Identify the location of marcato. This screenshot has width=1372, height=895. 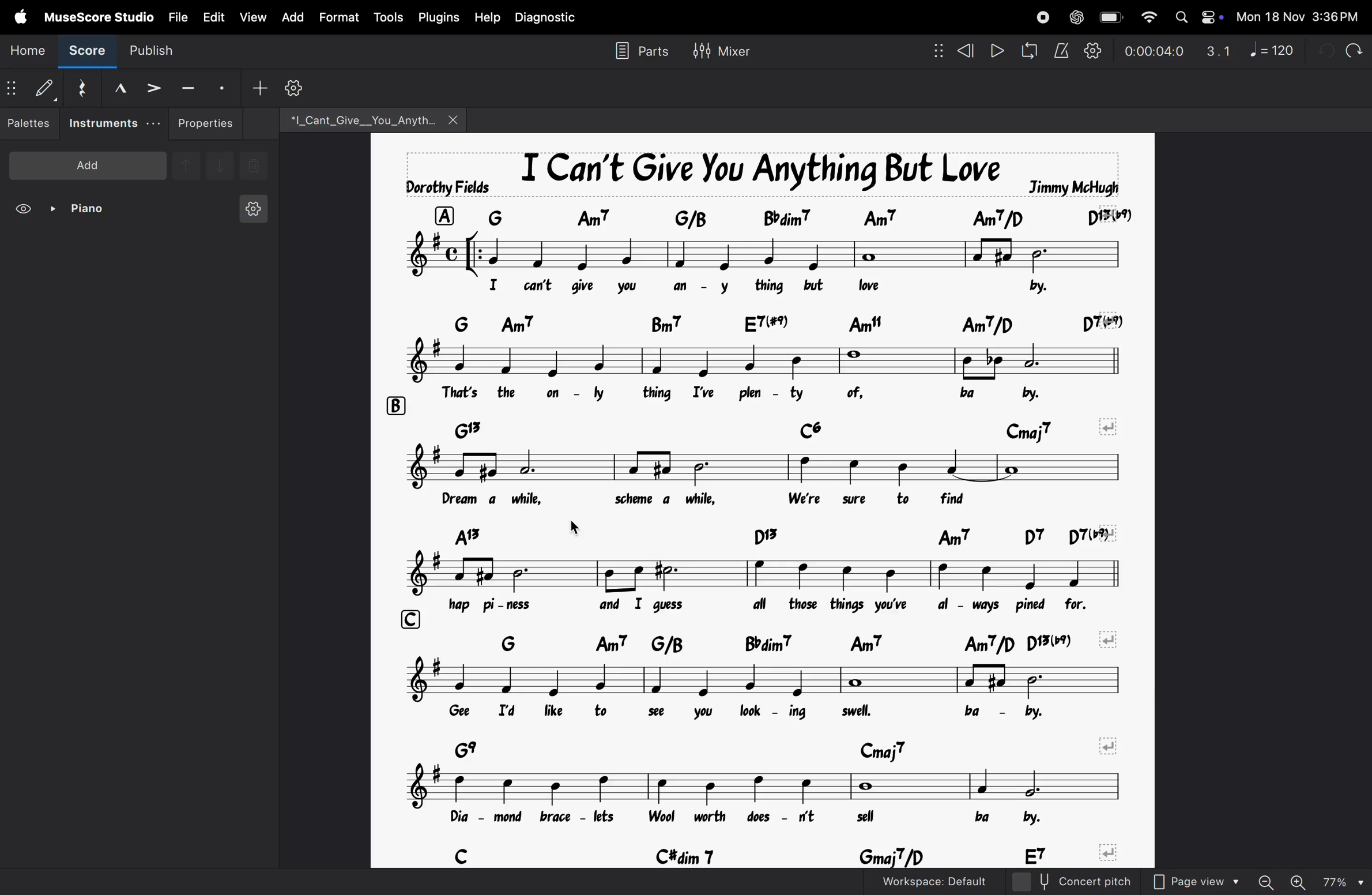
(120, 89).